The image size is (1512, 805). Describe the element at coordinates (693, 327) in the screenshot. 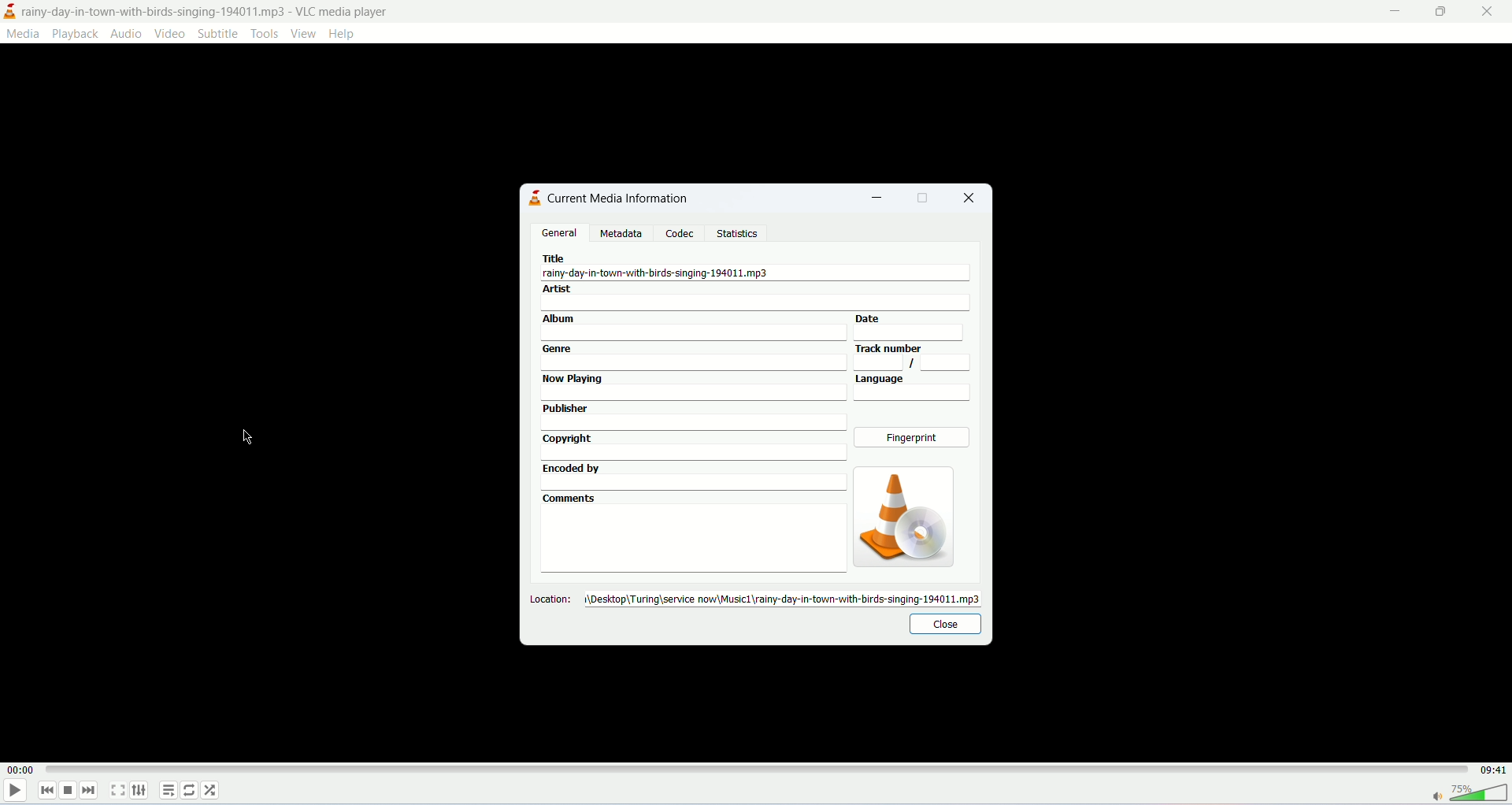

I see `album` at that location.